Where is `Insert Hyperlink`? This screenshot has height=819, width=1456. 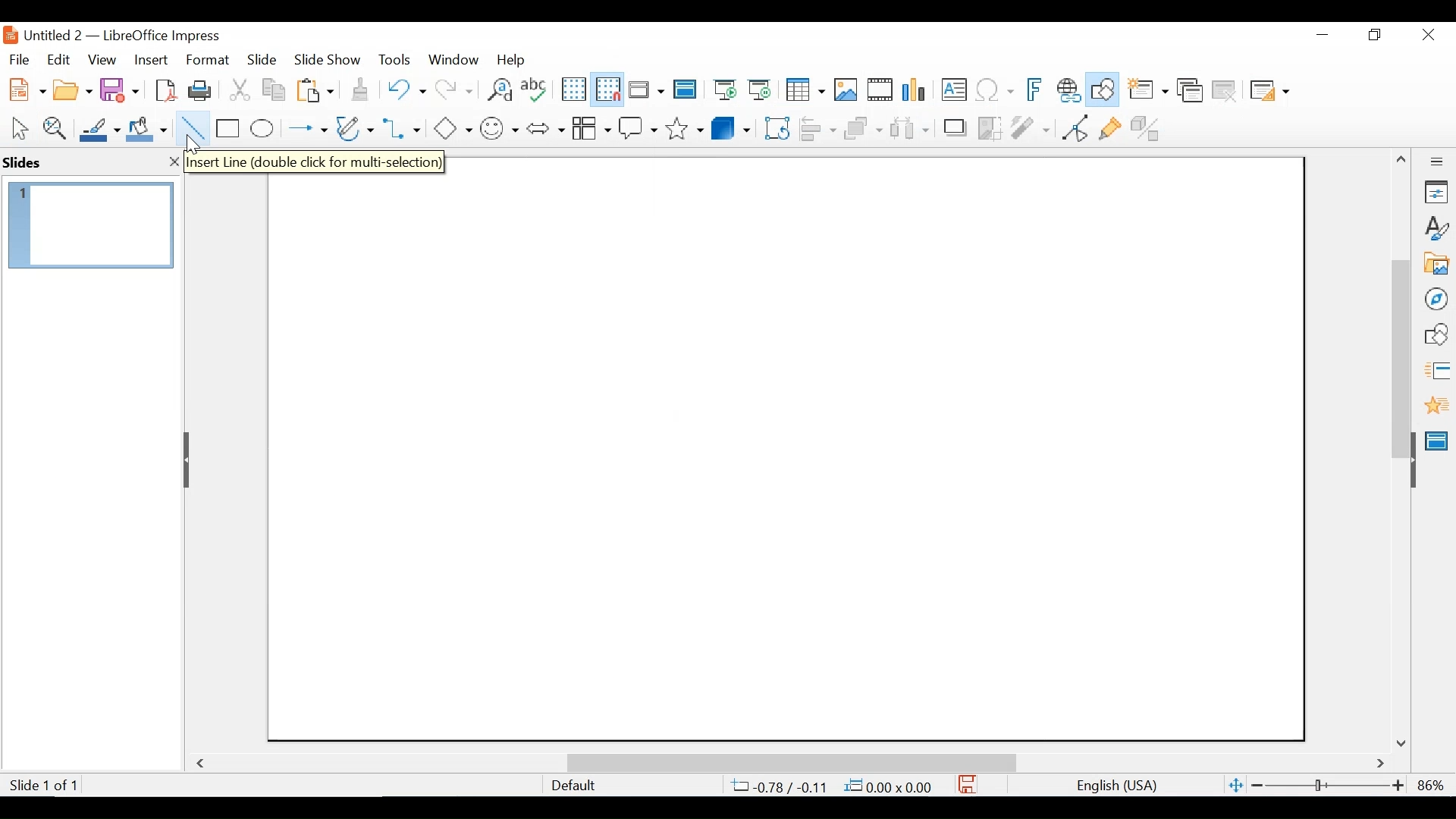 Insert Hyperlink is located at coordinates (1068, 90).